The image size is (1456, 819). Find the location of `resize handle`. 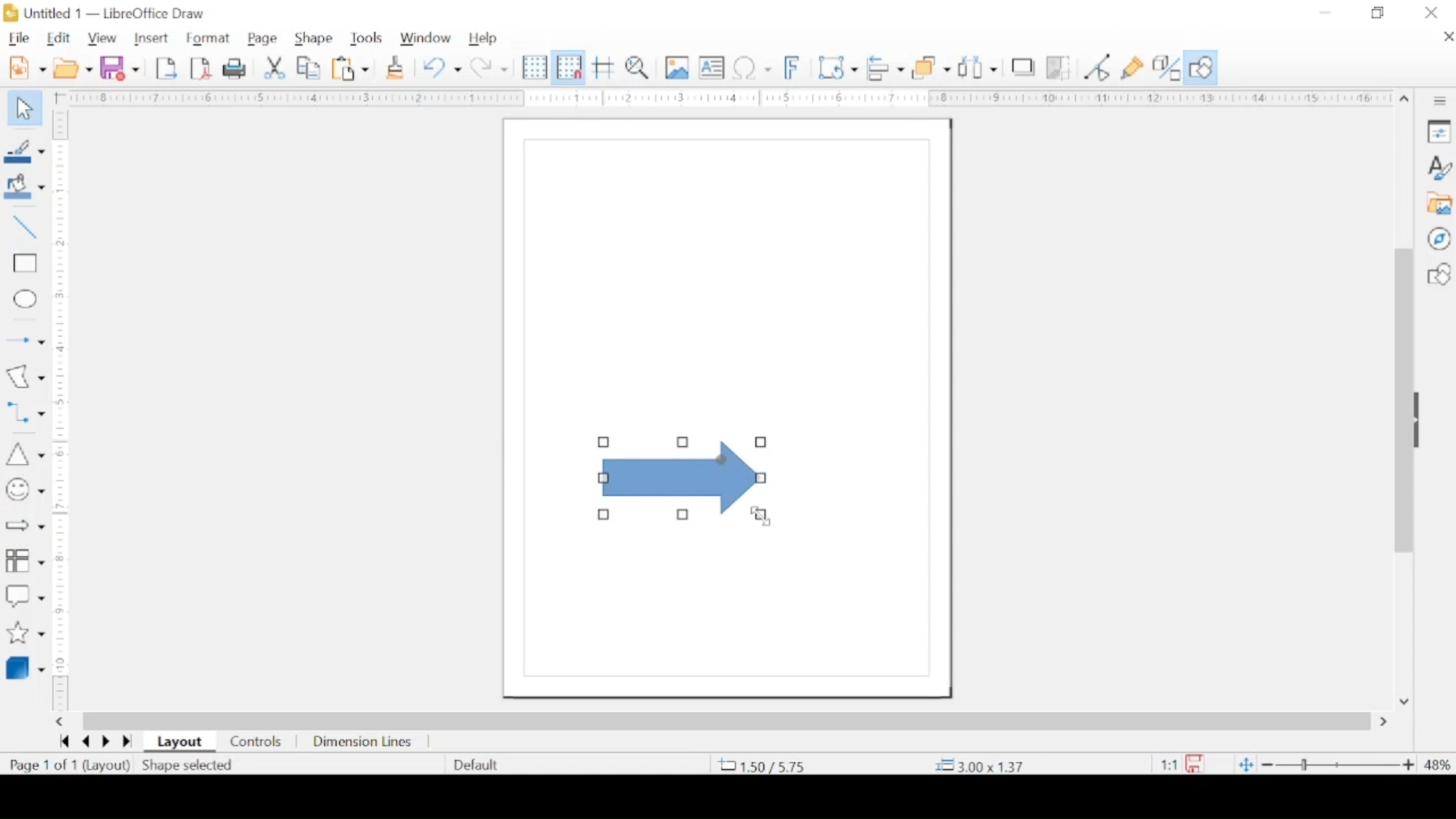

resize handle is located at coordinates (603, 479).